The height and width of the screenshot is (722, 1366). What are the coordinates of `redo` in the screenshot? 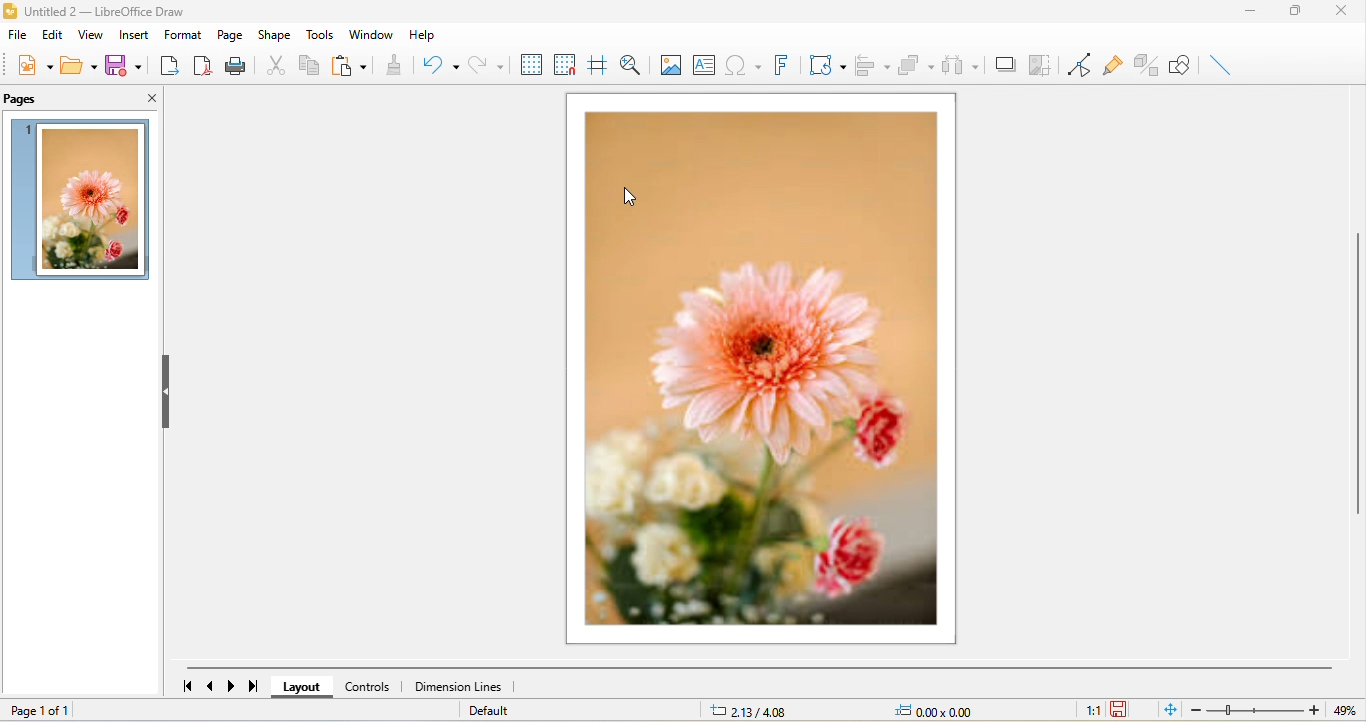 It's located at (490, 61).